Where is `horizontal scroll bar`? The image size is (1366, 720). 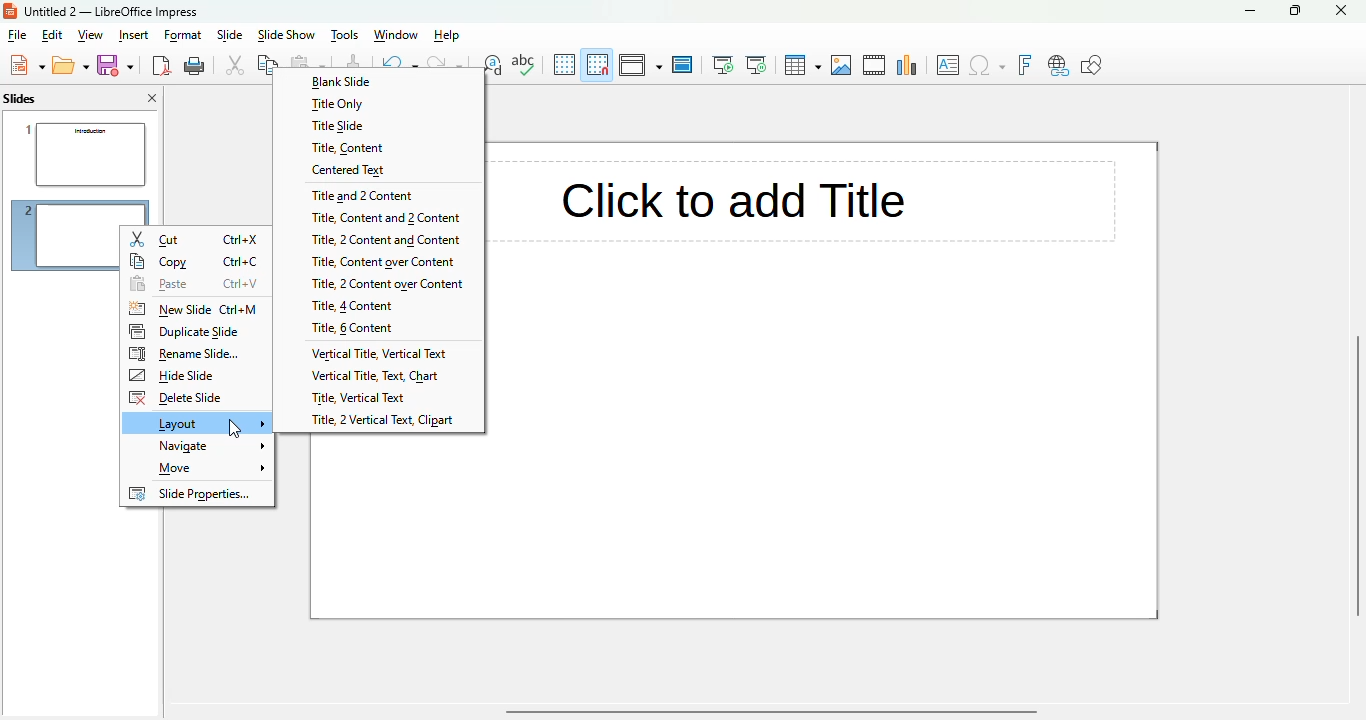 horizontal scroll bar is located at coordinates (771, 712).